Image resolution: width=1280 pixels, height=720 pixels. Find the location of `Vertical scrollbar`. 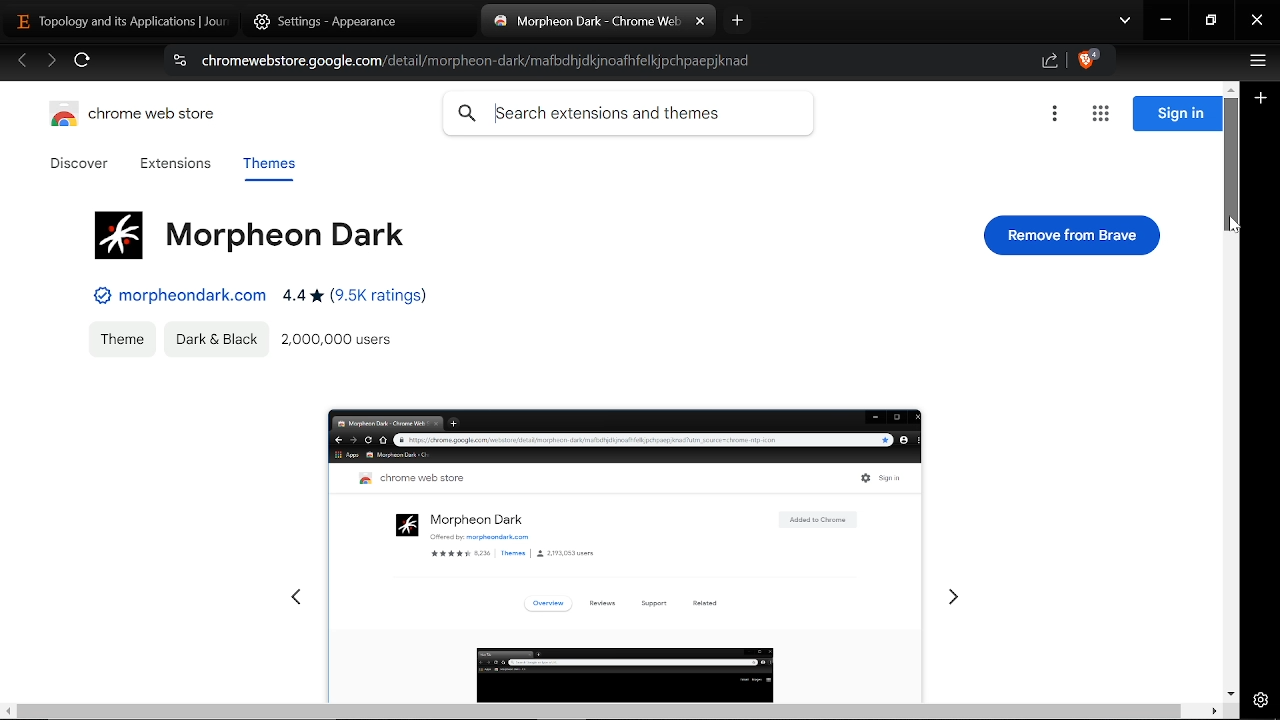

Vertical scrollbar is located at coordinates (1232, 165).